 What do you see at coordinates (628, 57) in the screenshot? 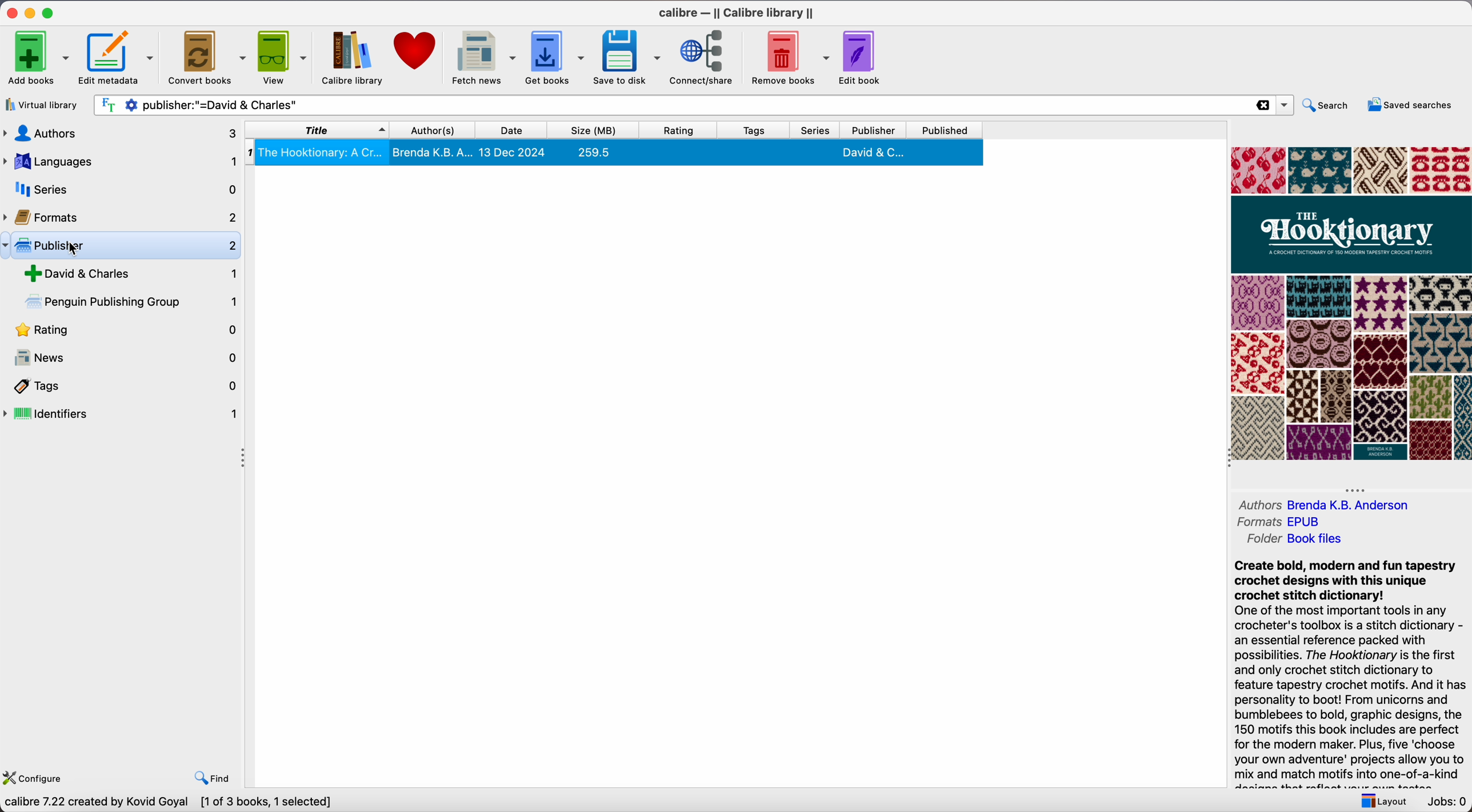
I see `save to disk` at bounding box center [628, 57].